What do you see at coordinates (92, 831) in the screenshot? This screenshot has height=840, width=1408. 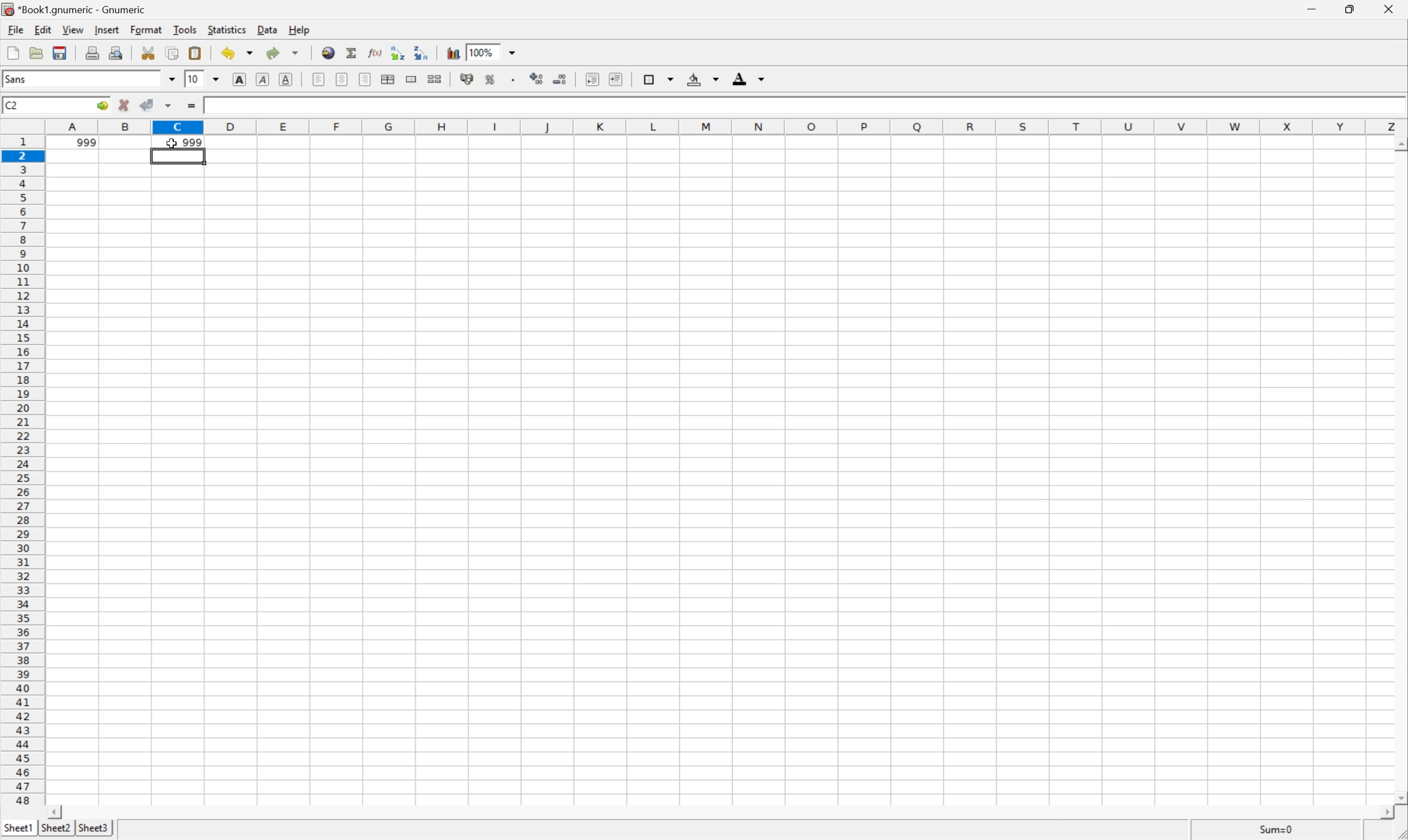 I see `sheet3` at bounding box center [92, 831].